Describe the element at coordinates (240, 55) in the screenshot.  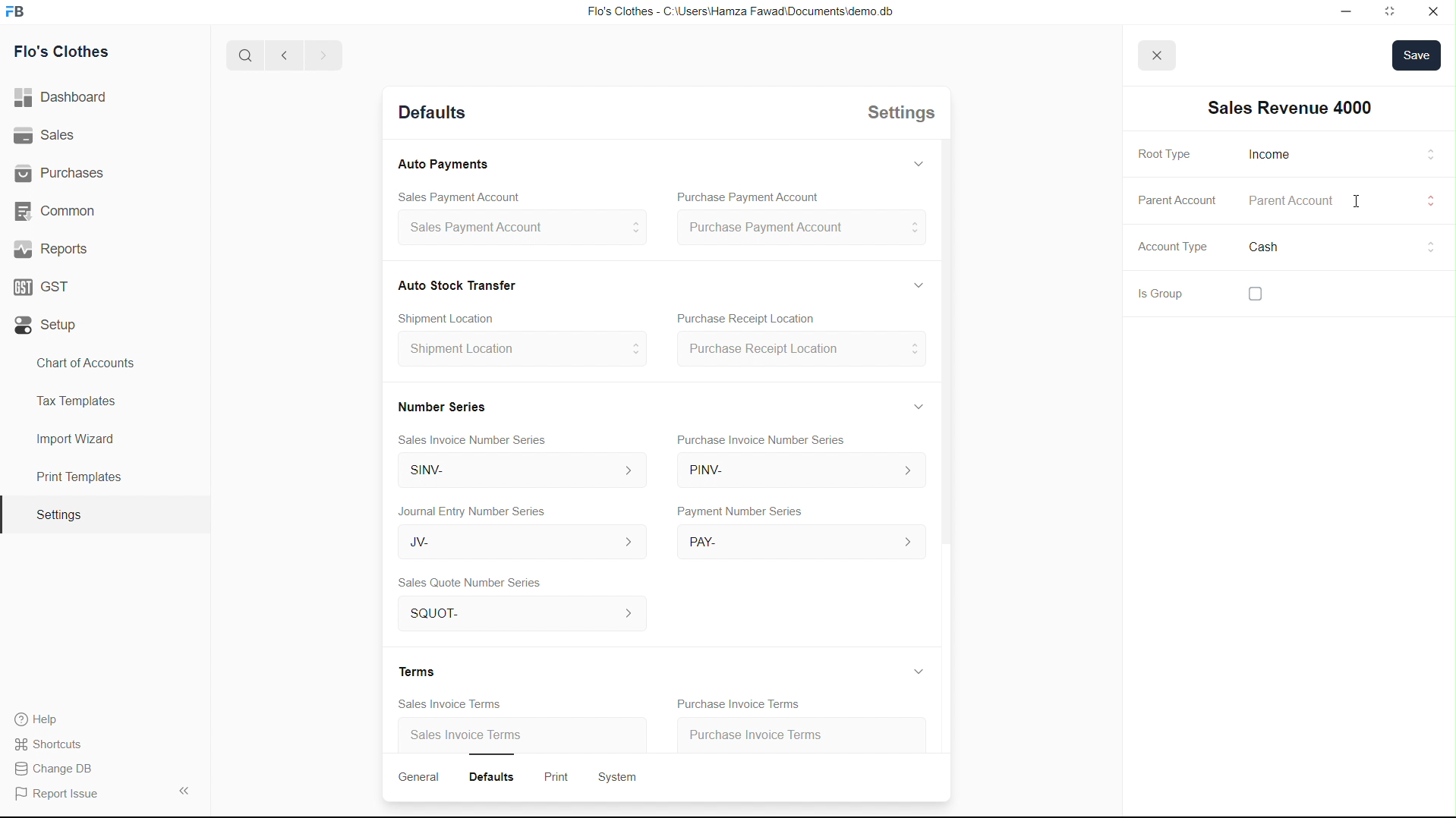
I see `Search` at that location.